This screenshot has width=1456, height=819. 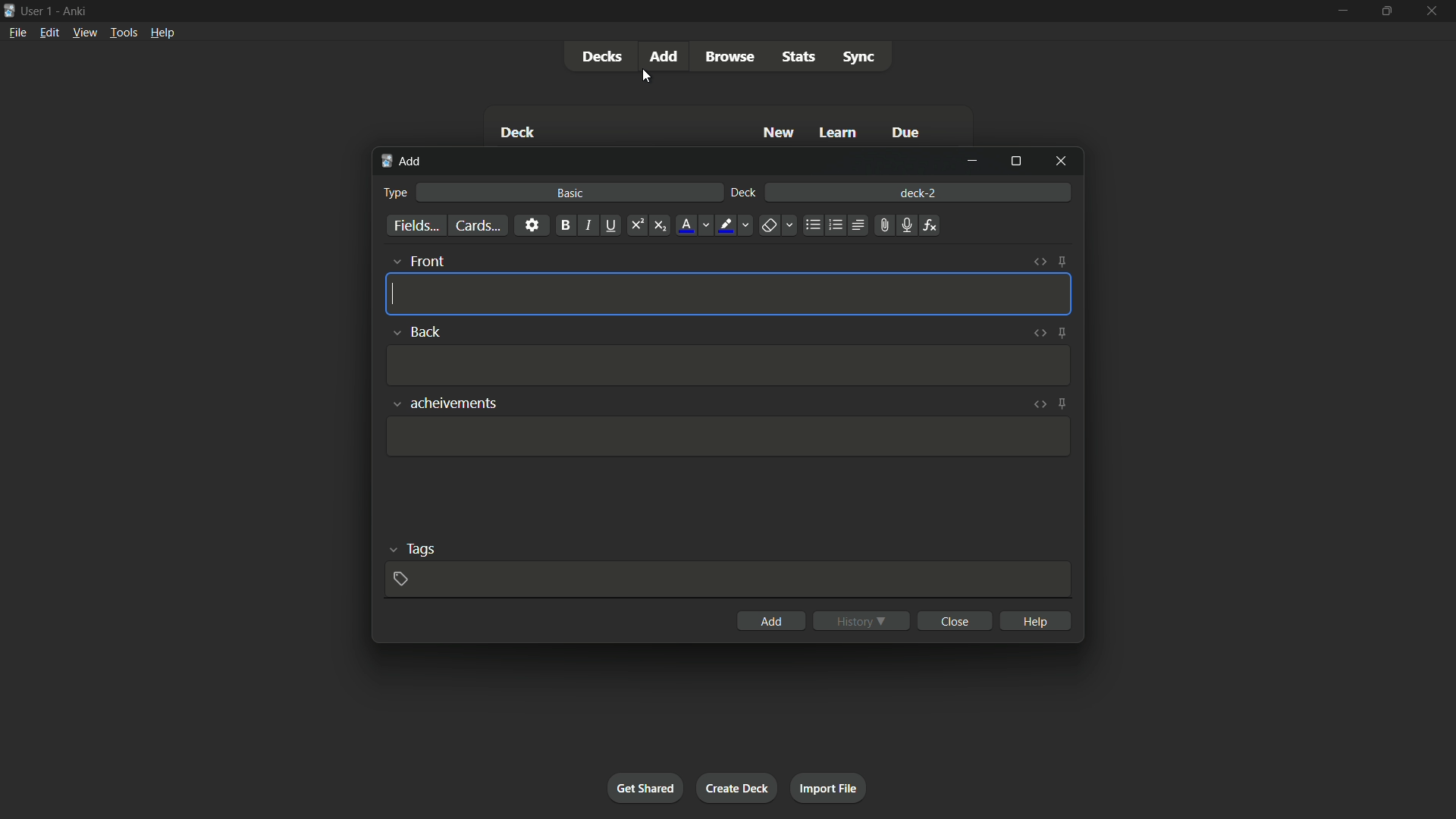 What do you see at coordinates (907, 132) in the screenshot?
I see `Due` at bounding box center [907, 132].